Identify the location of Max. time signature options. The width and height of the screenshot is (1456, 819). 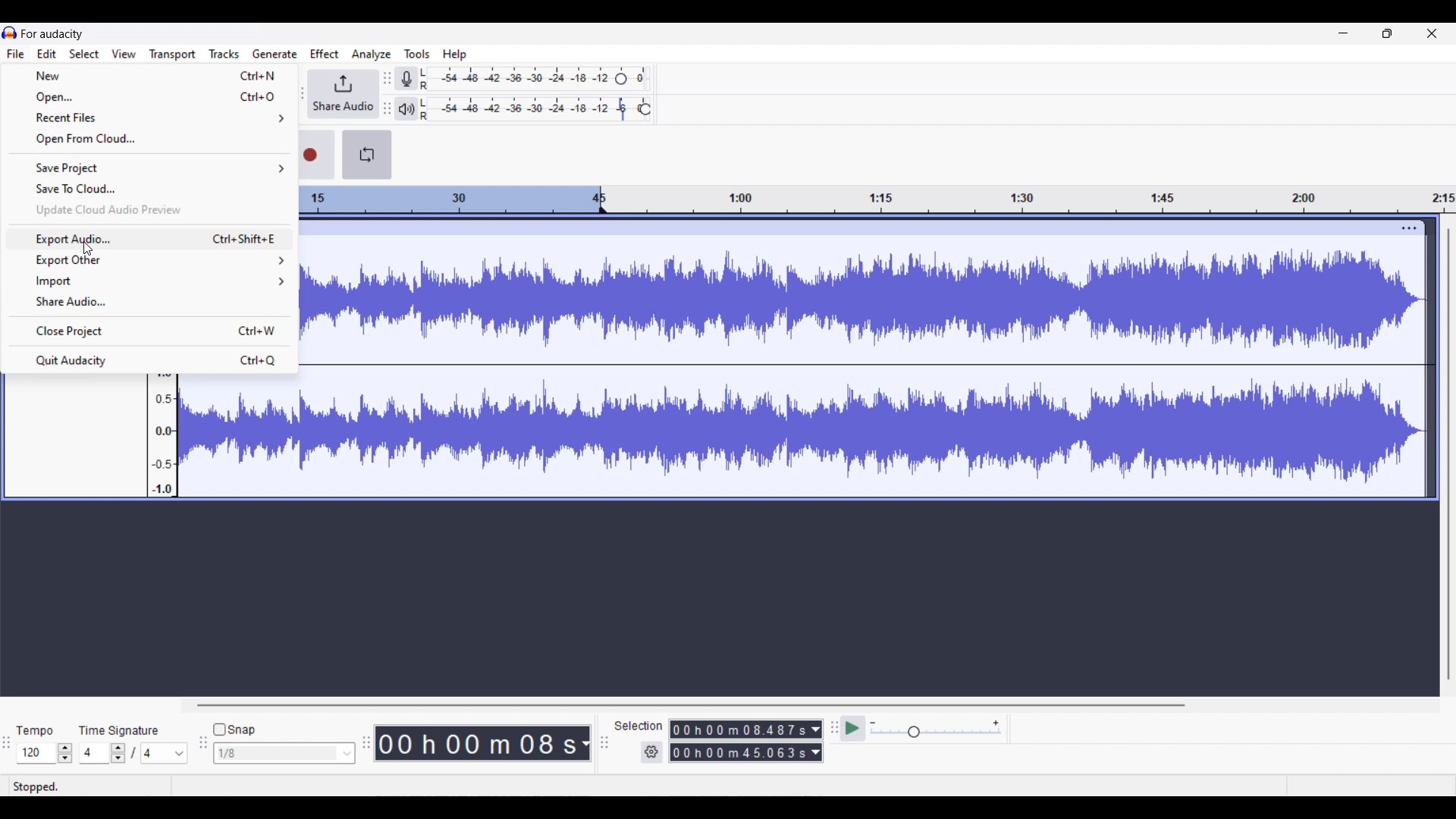
(165, 753).